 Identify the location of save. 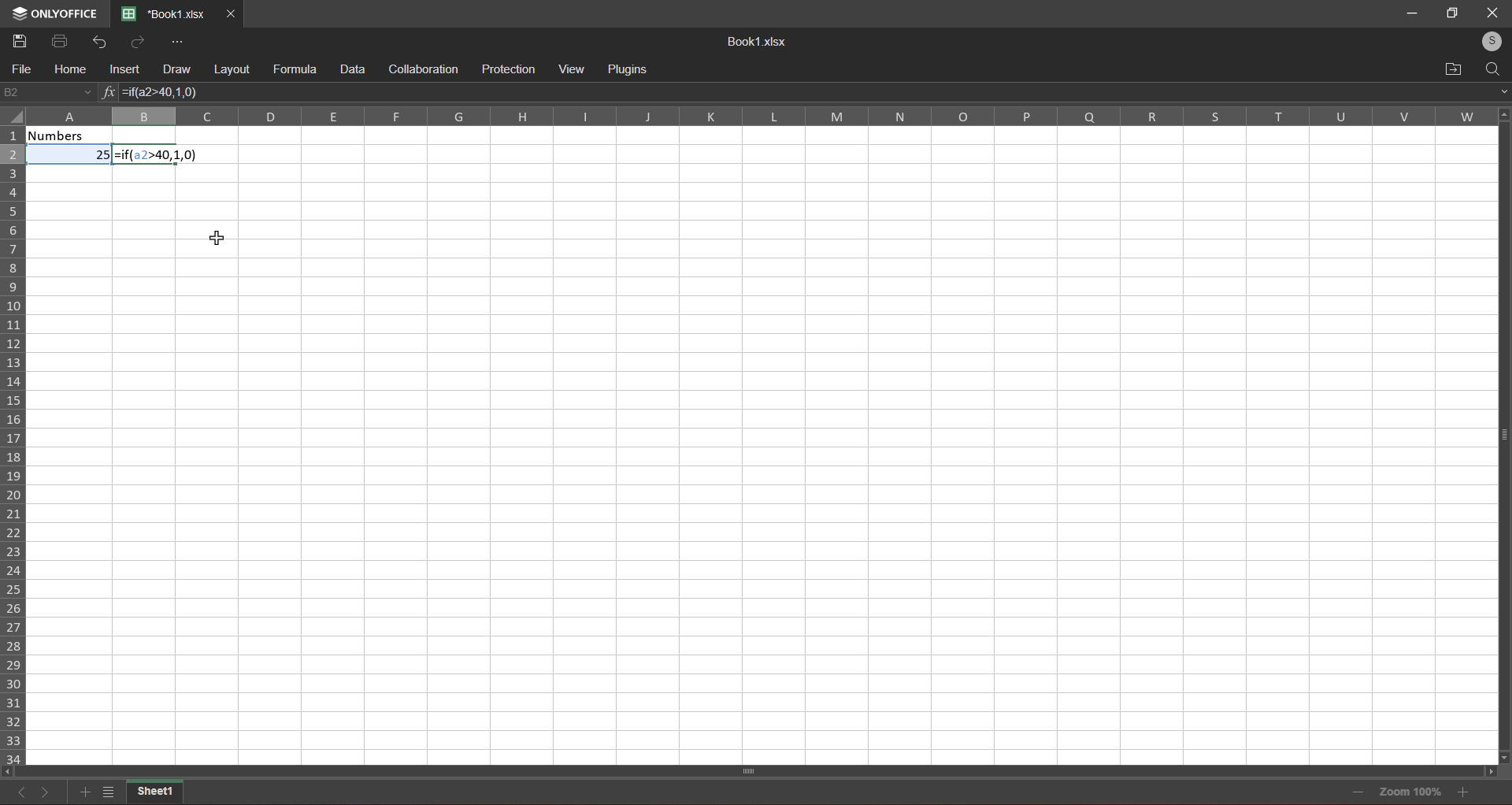
(18, 40).